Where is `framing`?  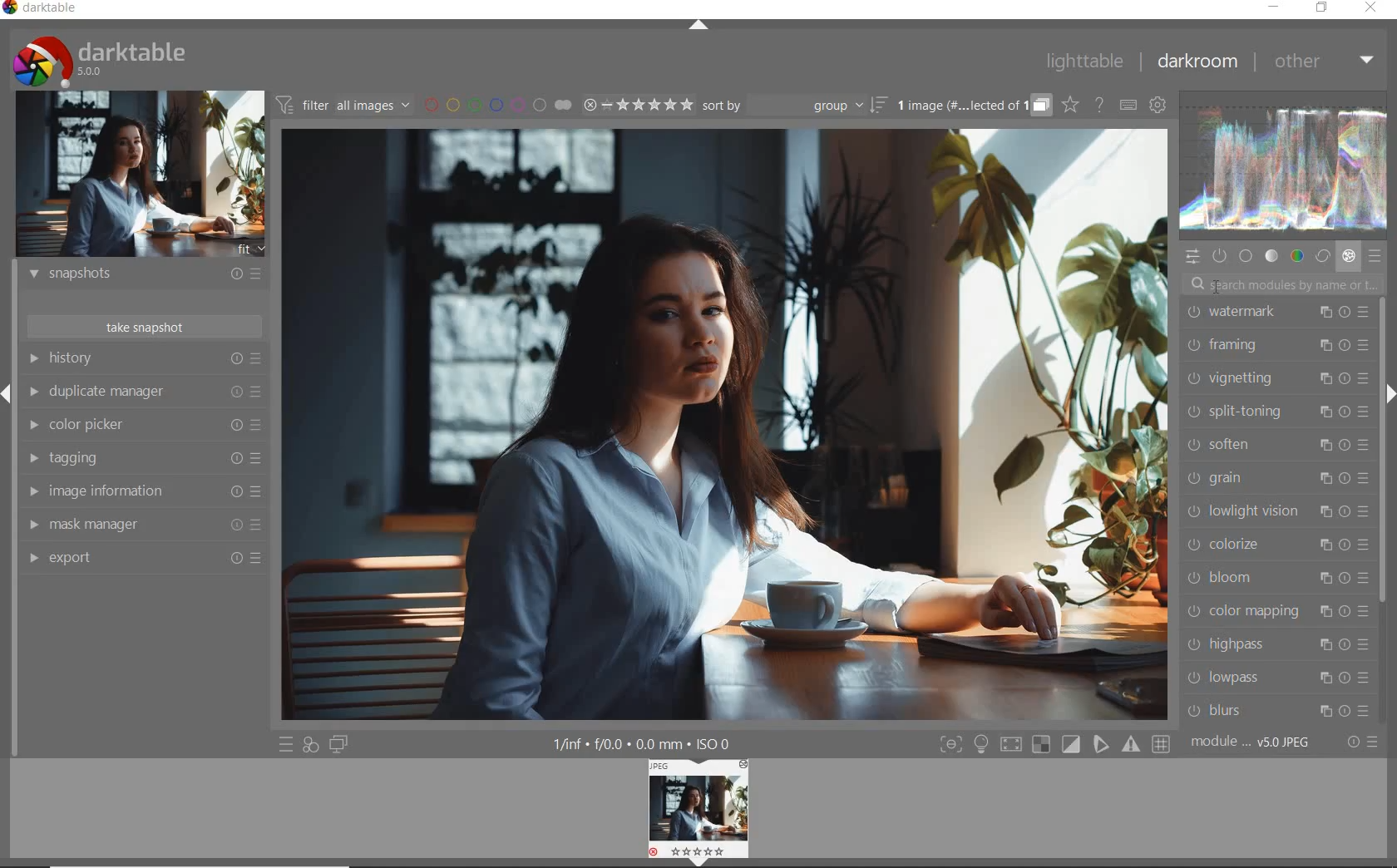
framing is located at coordinates (1275, 349).